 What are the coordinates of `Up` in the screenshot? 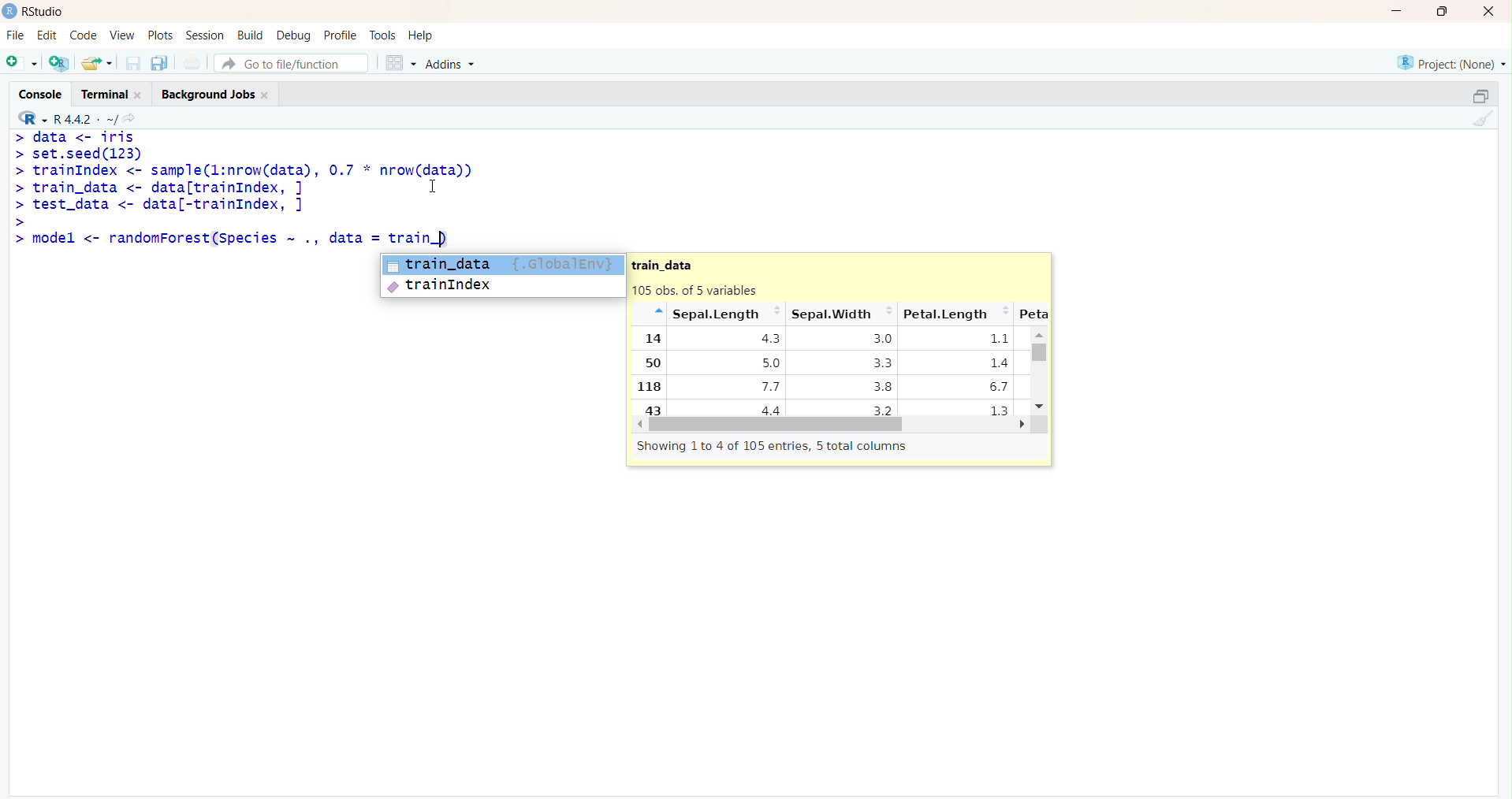 It's located at (1042, 334).